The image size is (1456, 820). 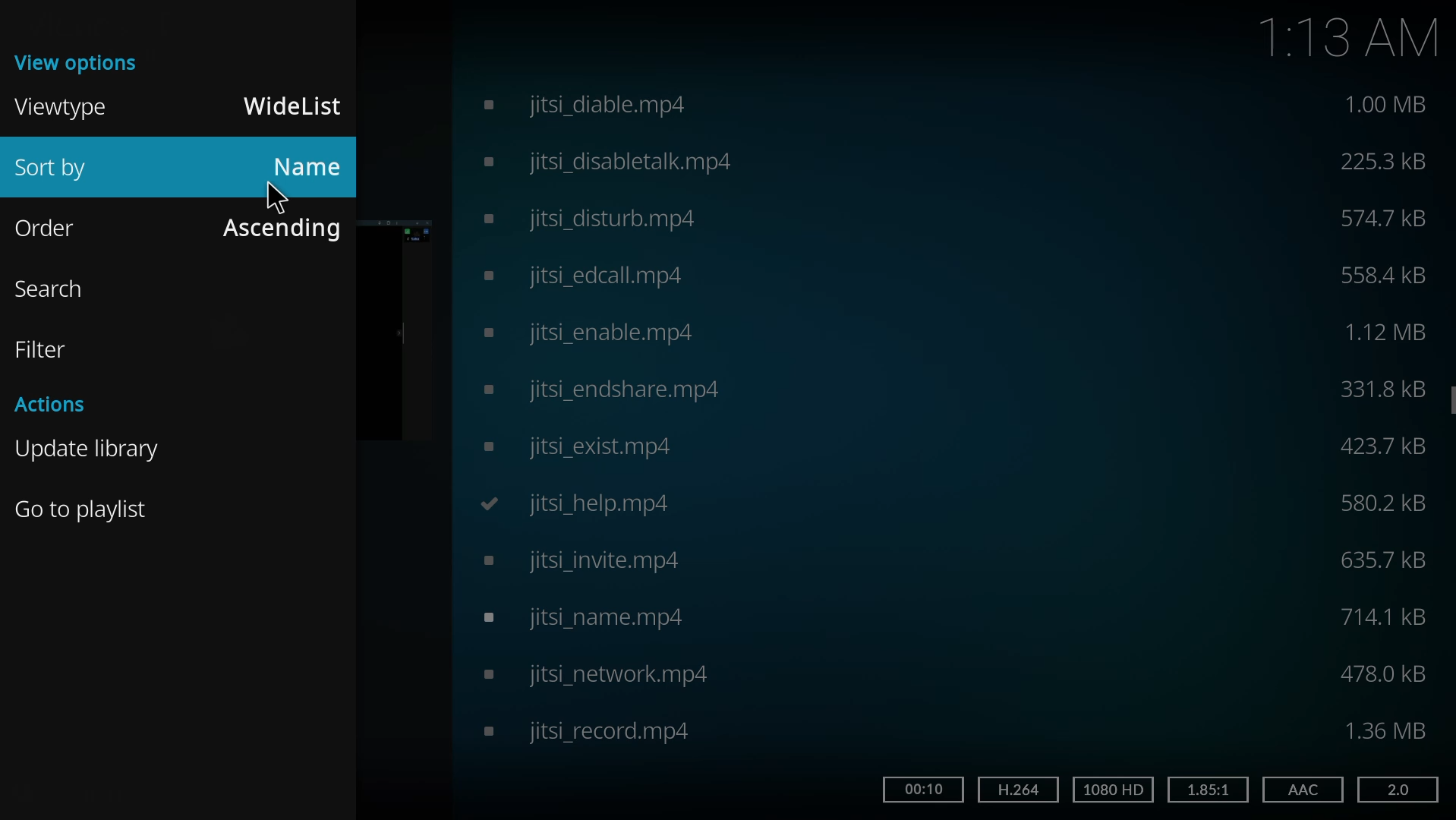 I want to click on widelist, so click(x=294, y=106).